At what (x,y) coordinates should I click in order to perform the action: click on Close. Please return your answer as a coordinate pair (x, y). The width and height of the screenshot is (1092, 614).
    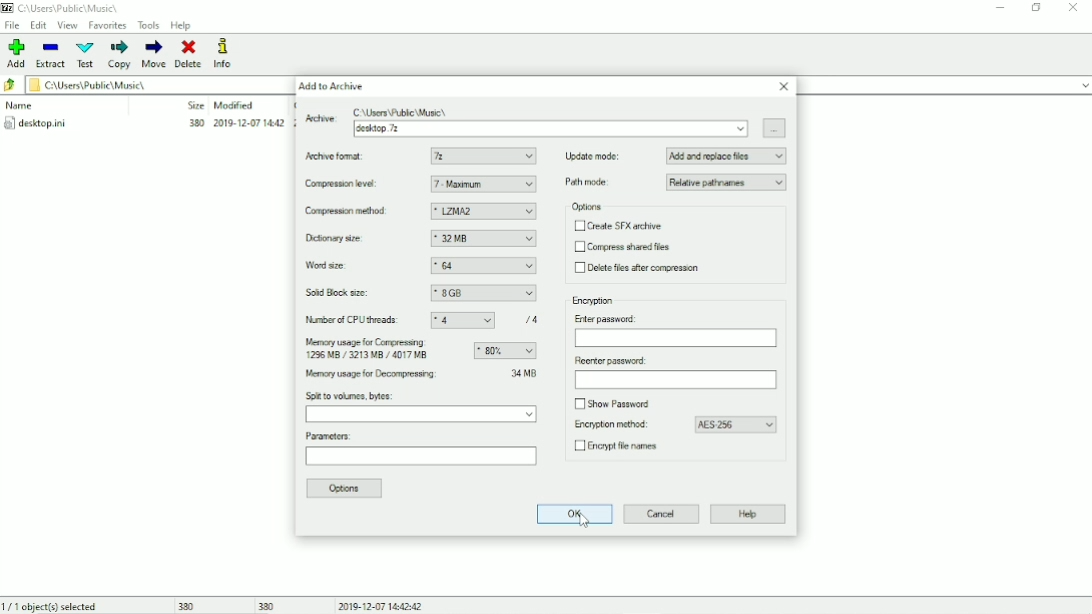
    Looking at the image, I should click on (1075, 9).